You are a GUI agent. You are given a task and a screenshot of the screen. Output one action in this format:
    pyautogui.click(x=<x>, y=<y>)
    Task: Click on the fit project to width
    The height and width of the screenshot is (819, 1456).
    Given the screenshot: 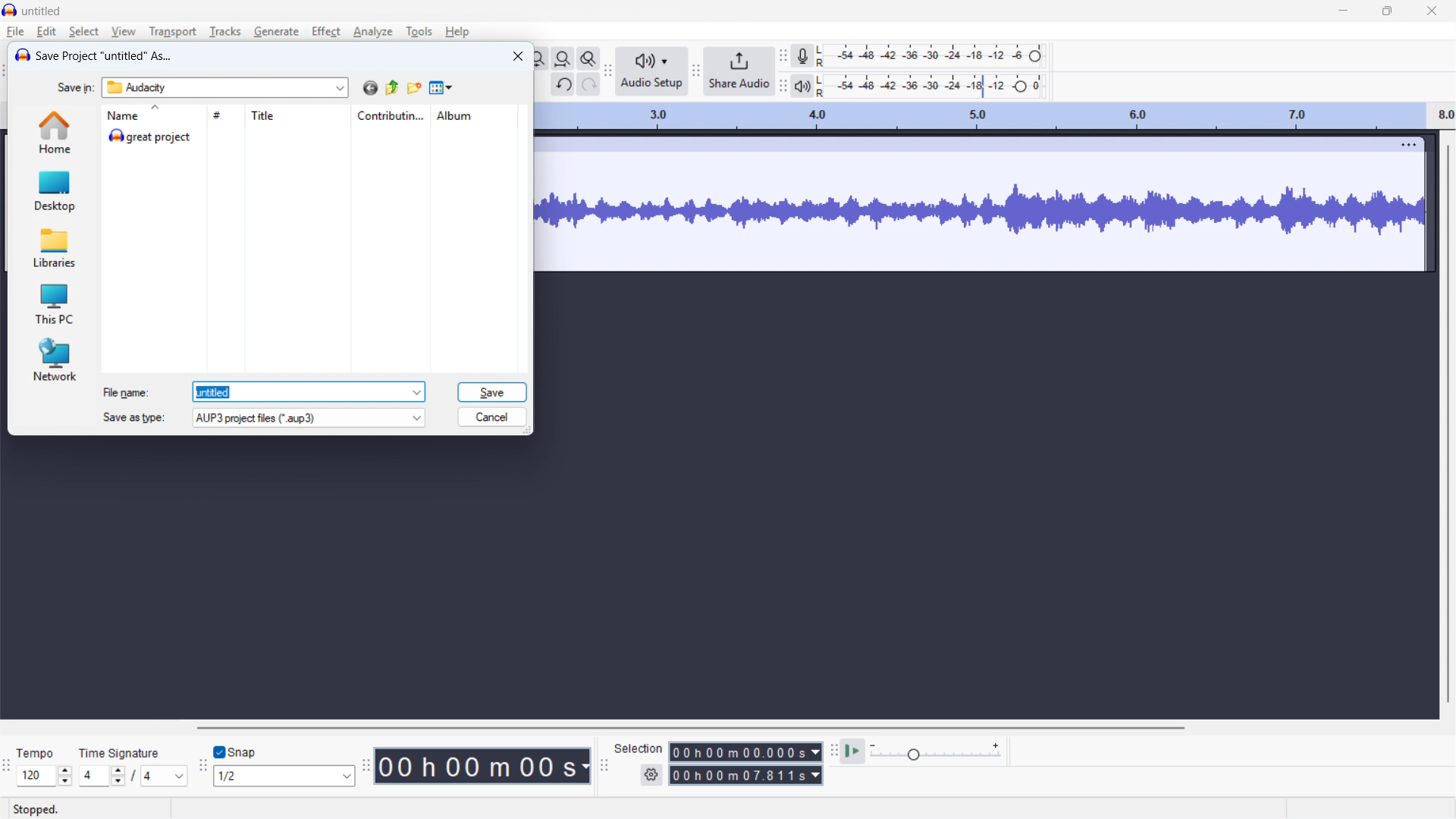 What is the action you would take?
    pyautogui.click(x=563, y=59)
    